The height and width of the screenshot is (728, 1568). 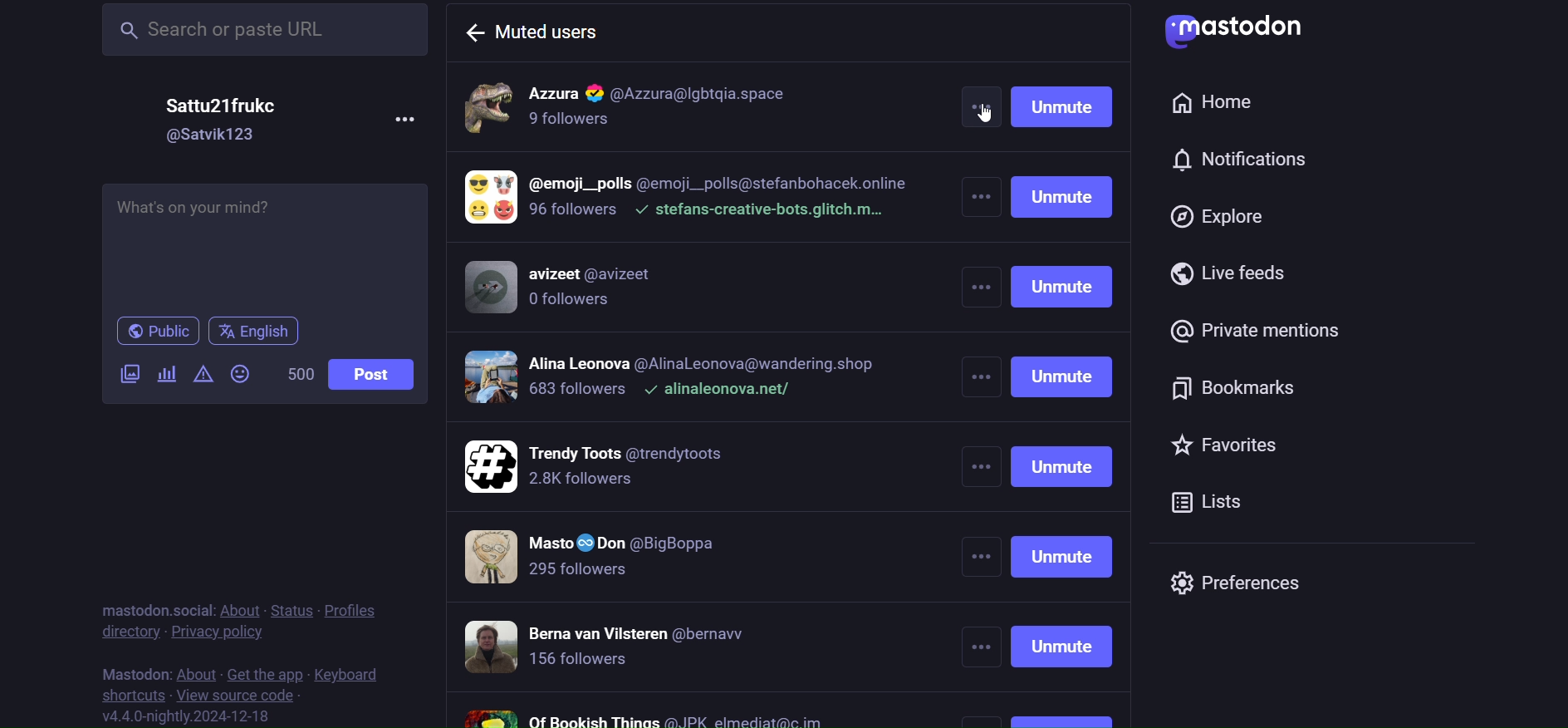 I want to click on directory, so click(x=125, y=631).